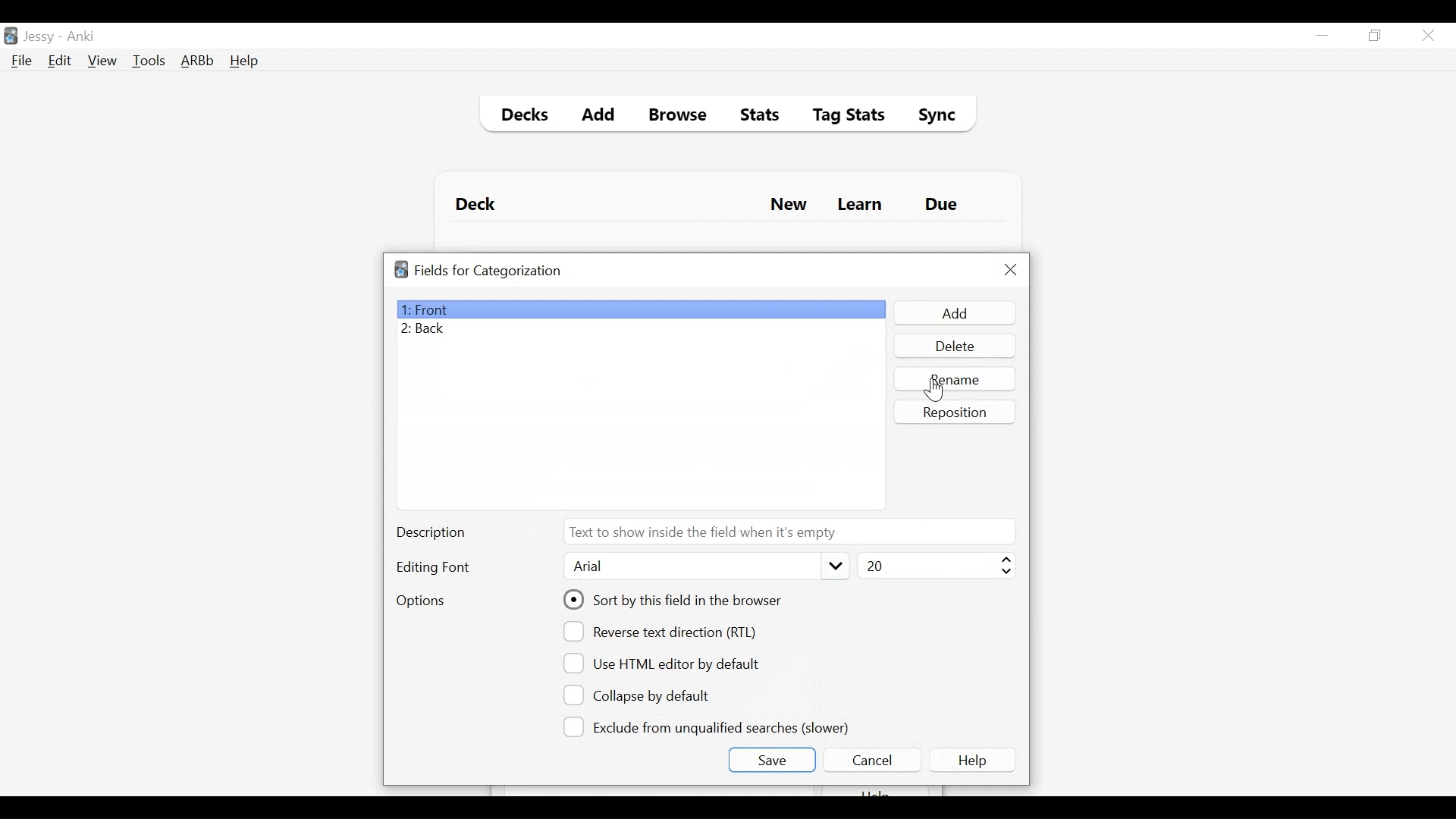 The width and height of the screenshot is (1456, 819). What do you see at coordinates (934, 566) in the screenshot?
I see `Adjust Font Size` at bounding box center [934, 566].